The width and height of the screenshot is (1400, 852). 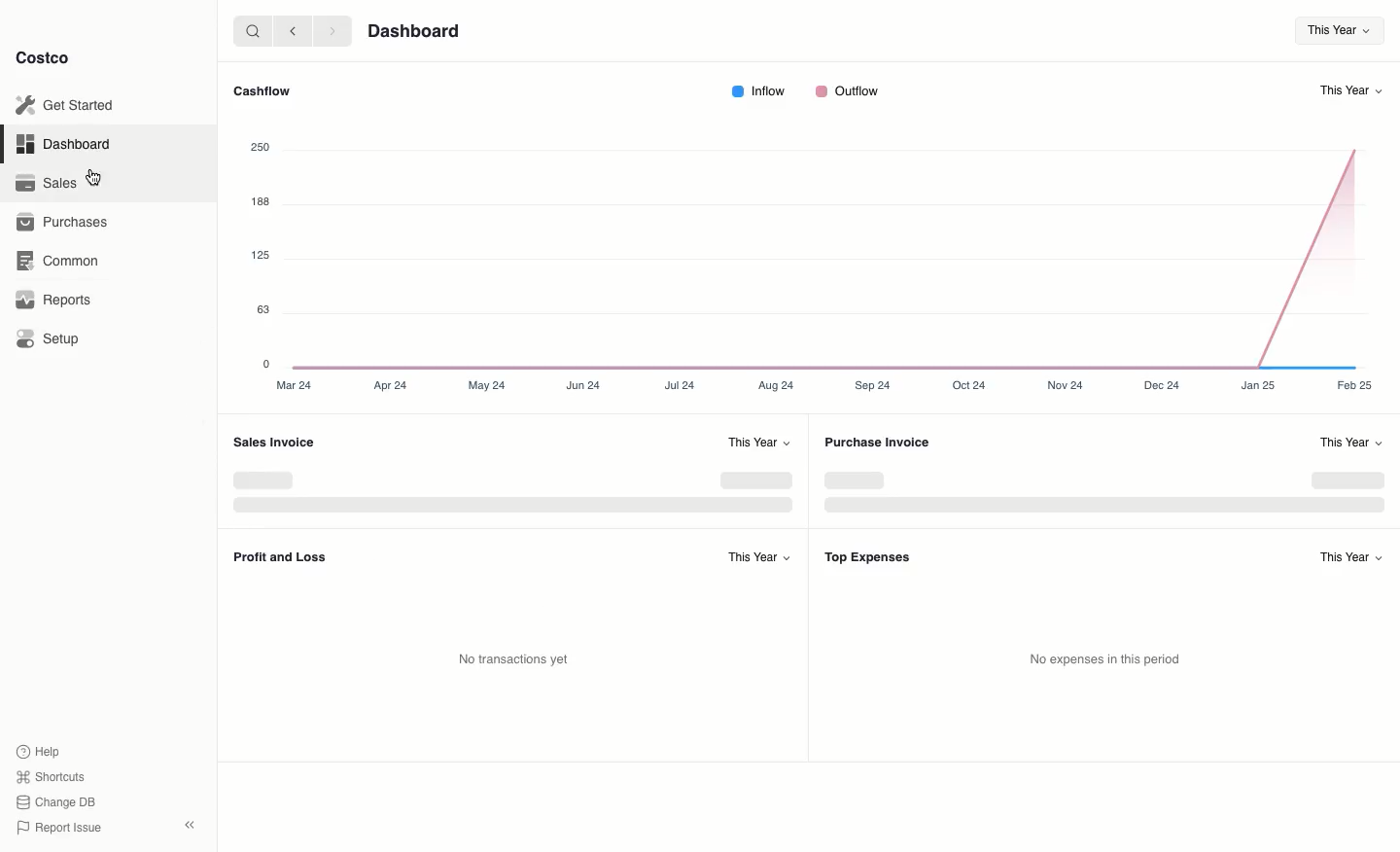 I want to click on Get Started, so click(x=68, y=105).